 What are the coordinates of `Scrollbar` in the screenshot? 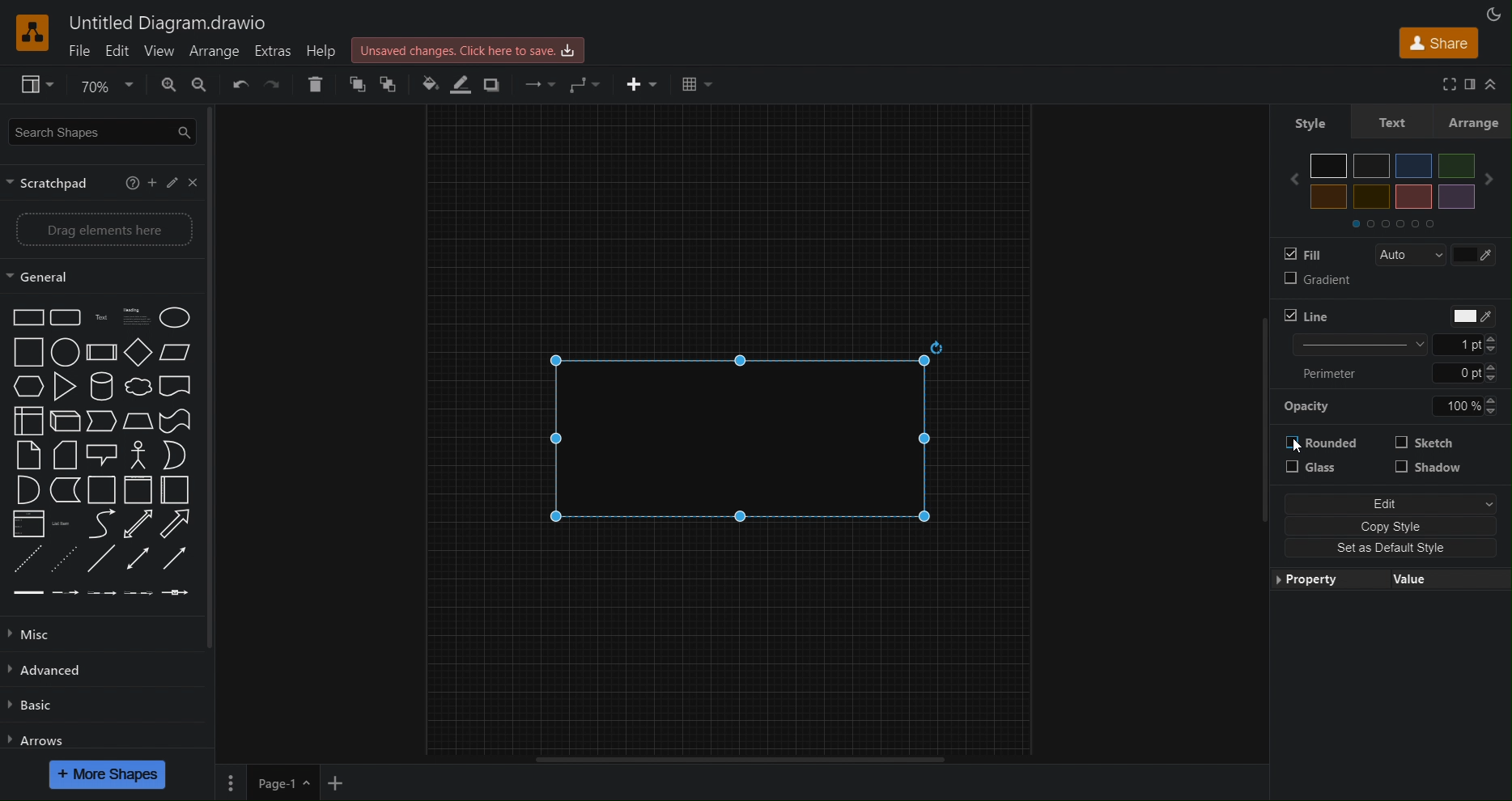 It's located at (218, 384).